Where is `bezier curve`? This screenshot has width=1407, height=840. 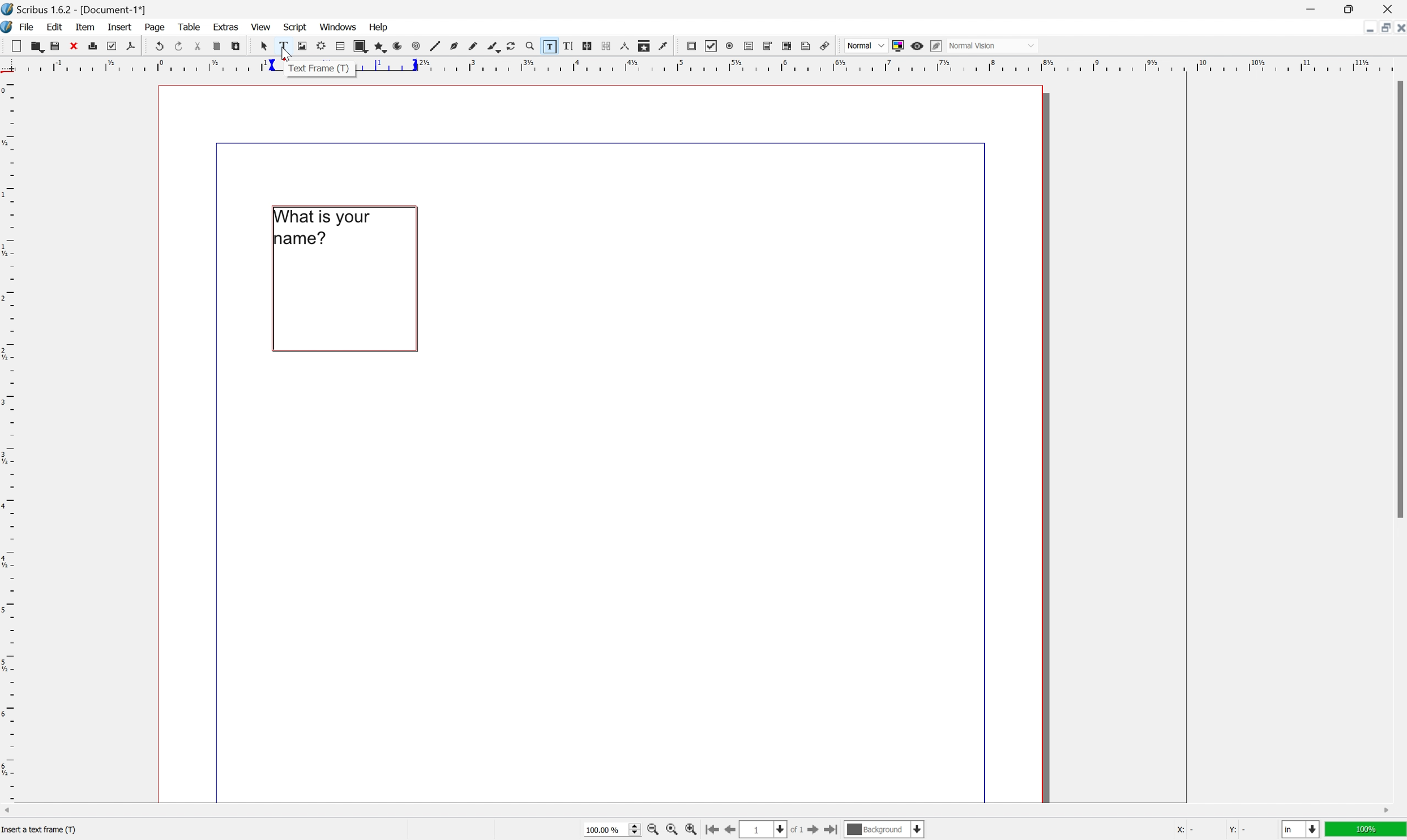
bezier curve is located at coordinates (455, 46).